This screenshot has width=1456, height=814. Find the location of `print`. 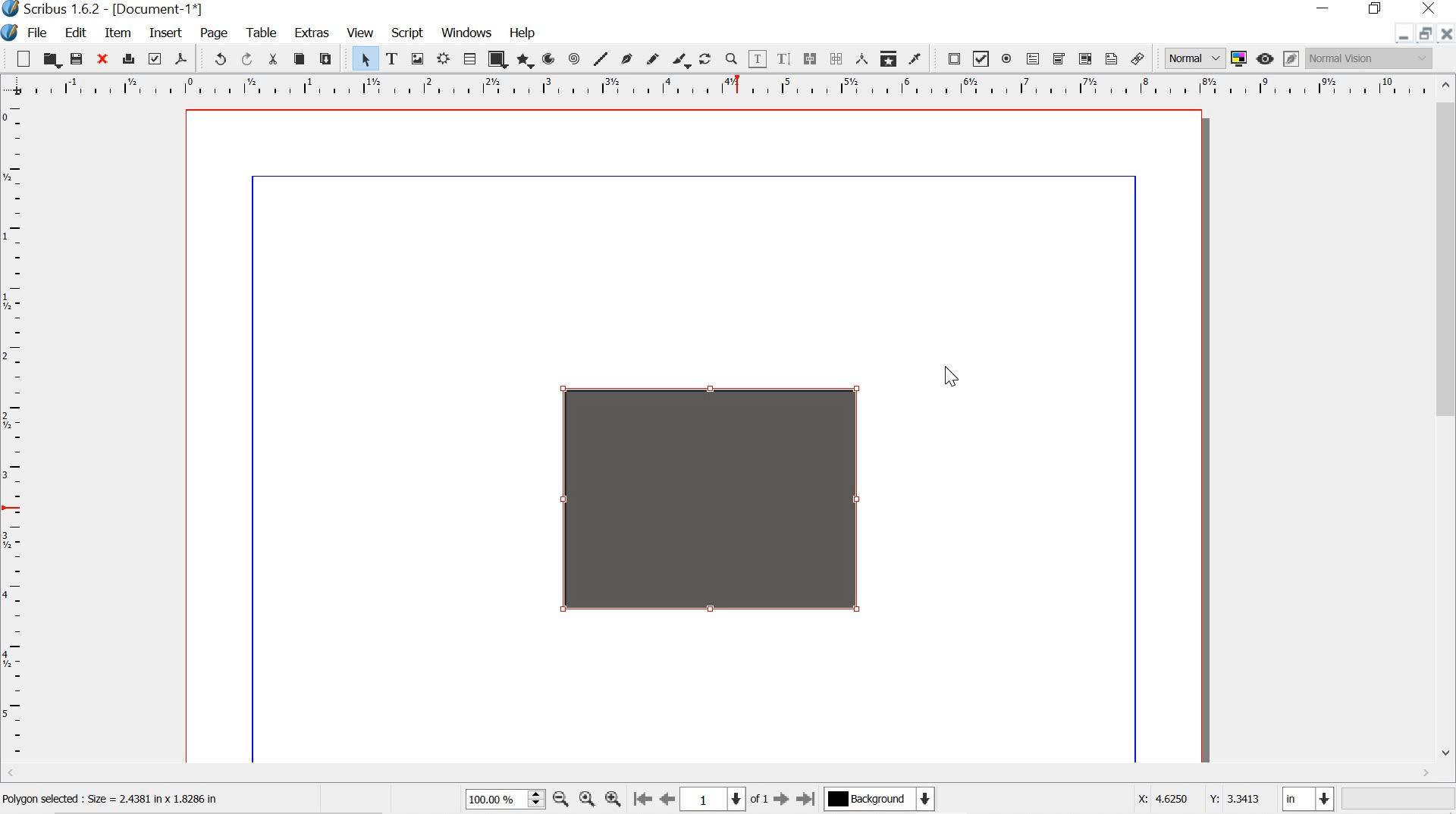

print is located at coordinates (127, 58).